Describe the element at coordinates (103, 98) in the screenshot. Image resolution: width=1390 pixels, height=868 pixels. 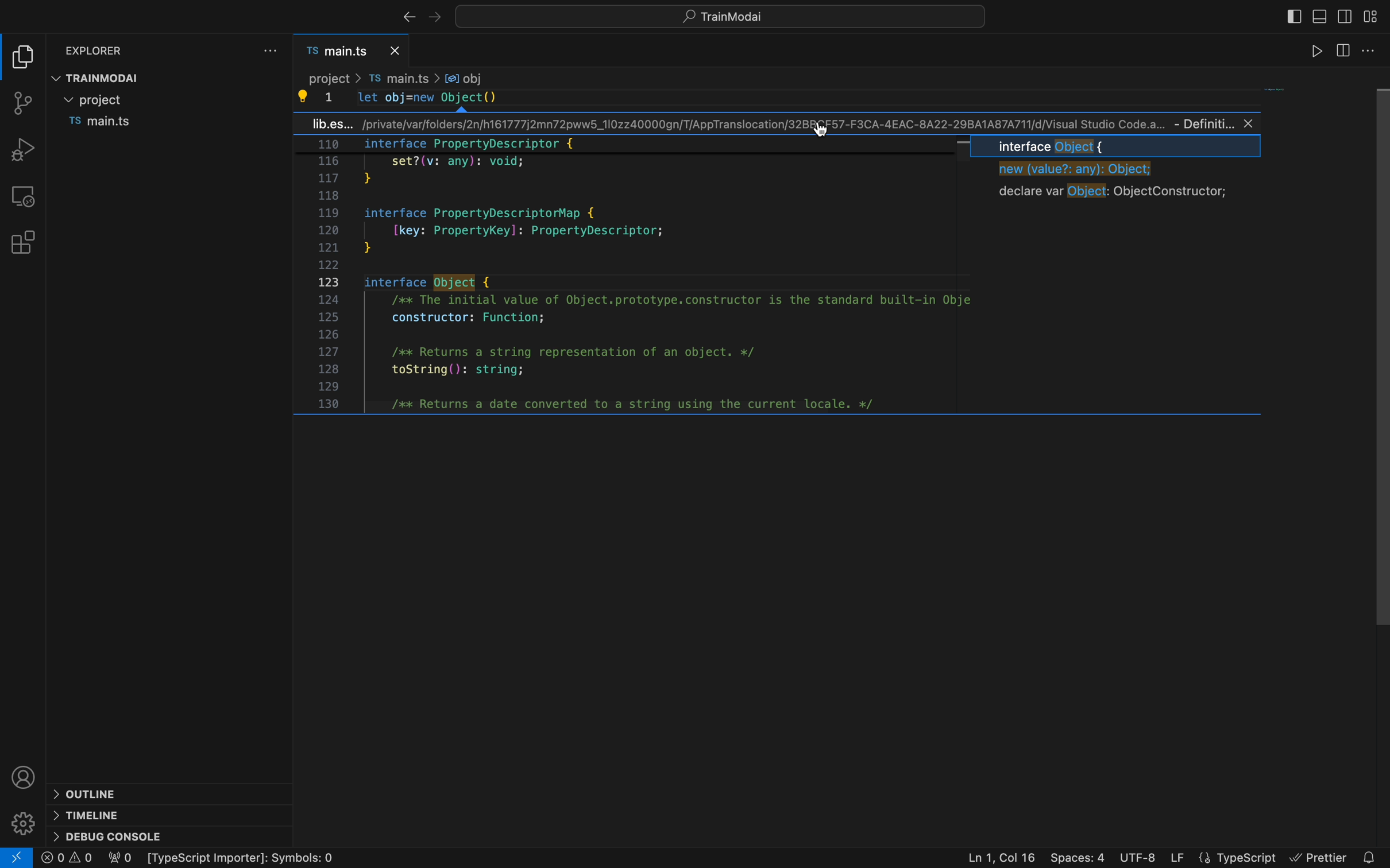
I see `folder` at that location.